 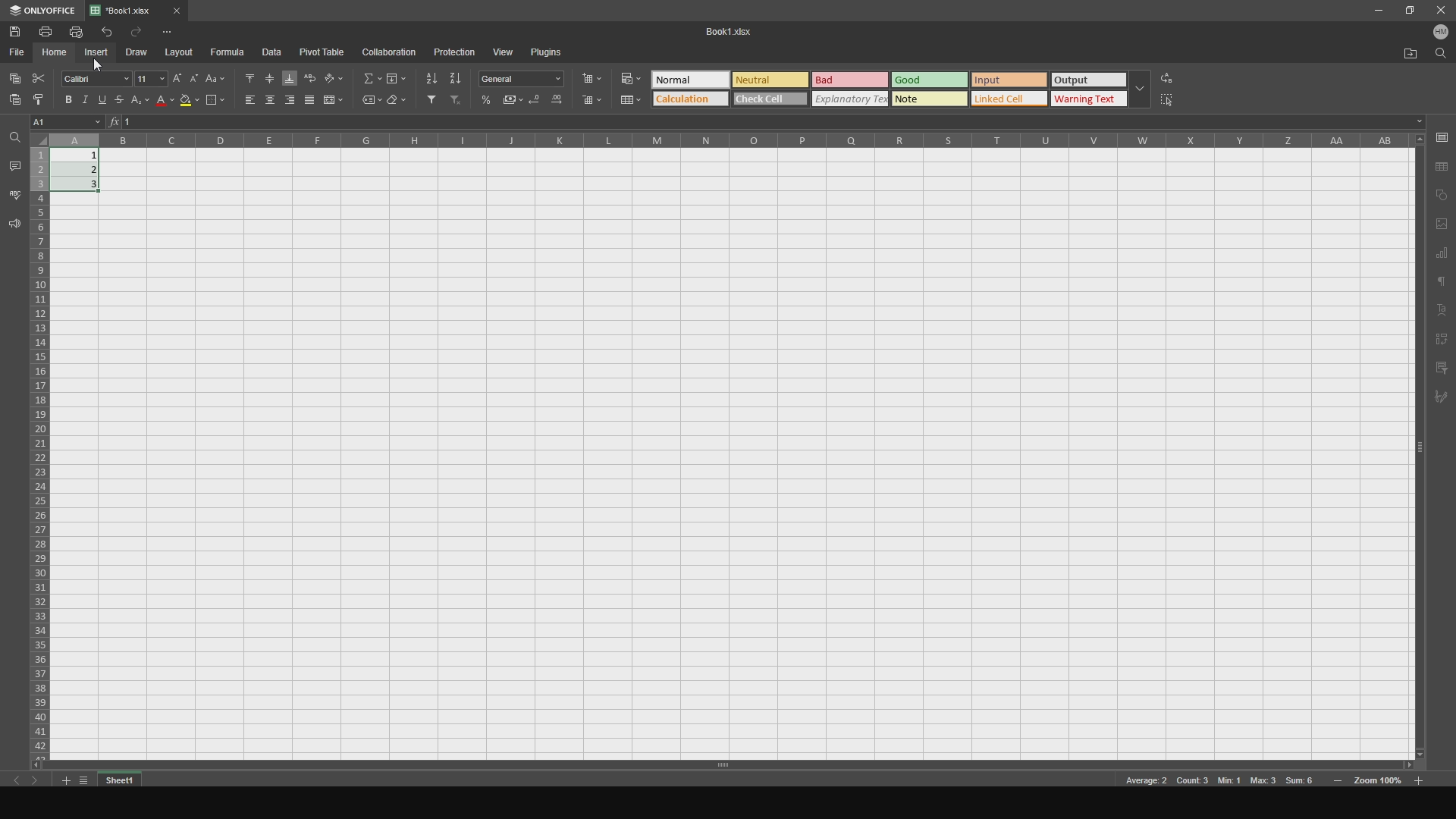 What do you see at coordinates (453, 52) in the screenshot?
I see `protection` at bounding box center [453, 52].